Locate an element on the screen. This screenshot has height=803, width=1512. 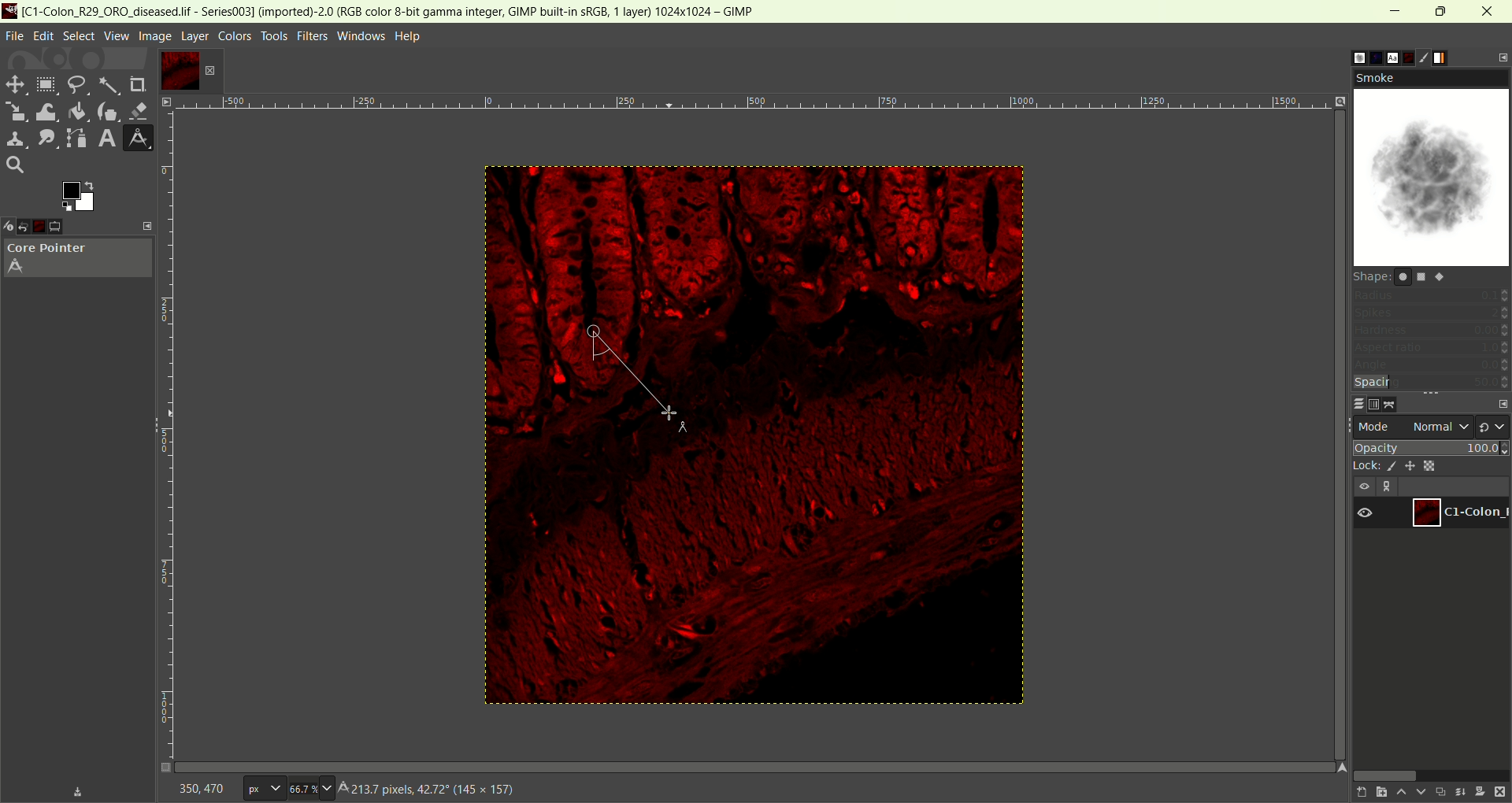
switch to another group of mode is located at coordinates (1494, 426).